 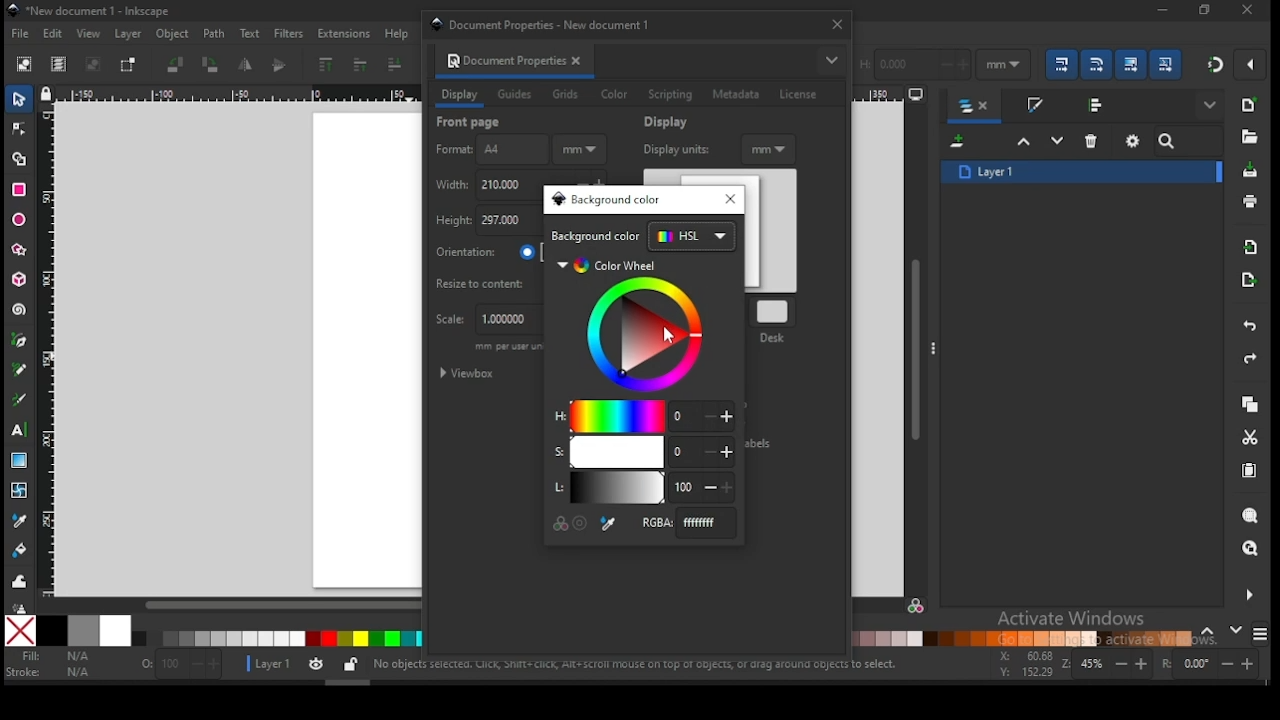 I want to click on more settings, so click(x=1247, y=595).